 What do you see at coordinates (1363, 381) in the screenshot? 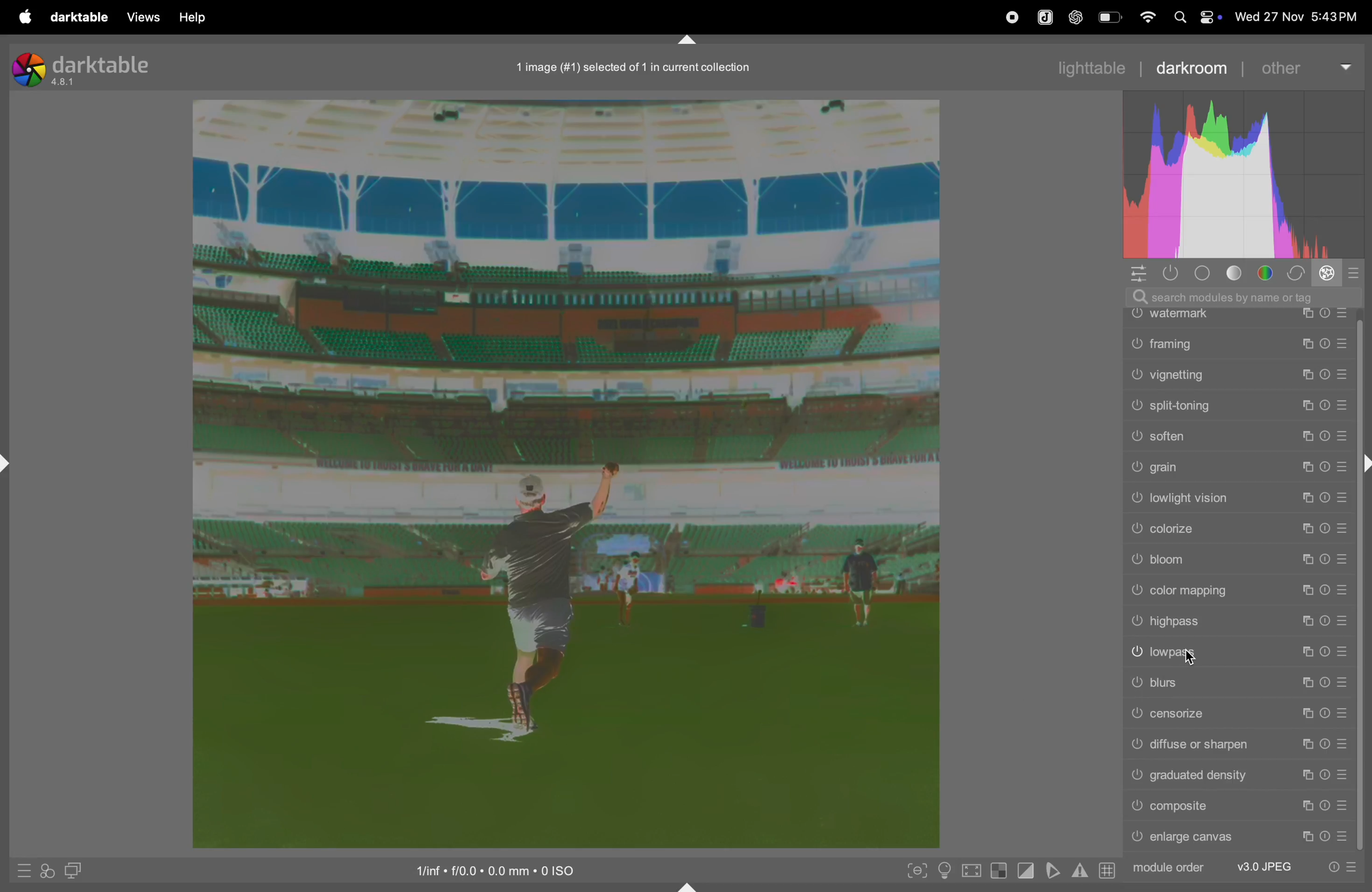
I see `scroll bar` at bounding box center [1363, 381].